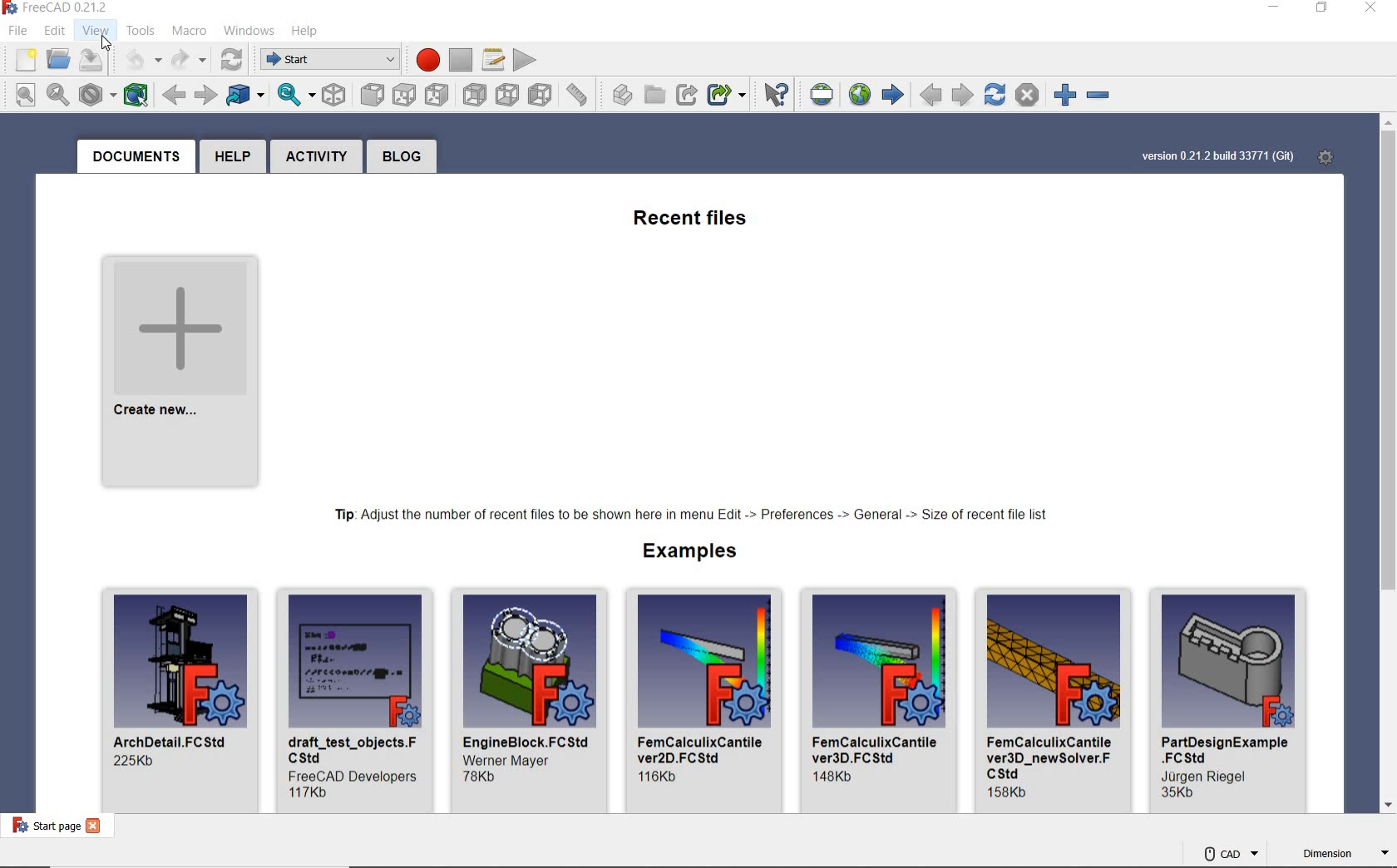 The height and width of the screenshot is (868, 1397). Describe the element at coordinates (706, 700) in the screenshot. I see `FemCalculix` at that location.